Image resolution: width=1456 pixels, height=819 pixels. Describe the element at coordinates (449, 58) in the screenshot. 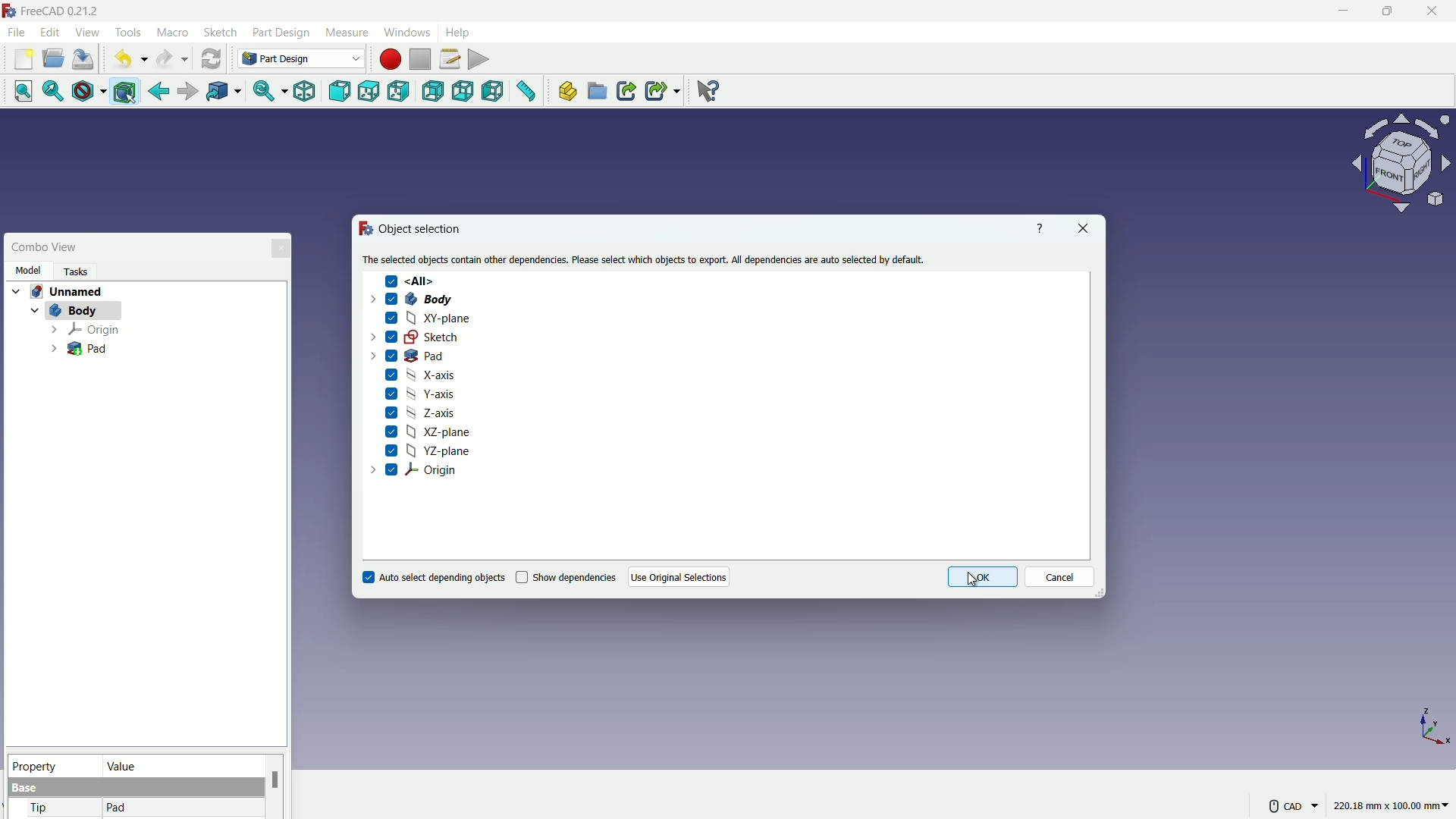

I see `macros` at that location.